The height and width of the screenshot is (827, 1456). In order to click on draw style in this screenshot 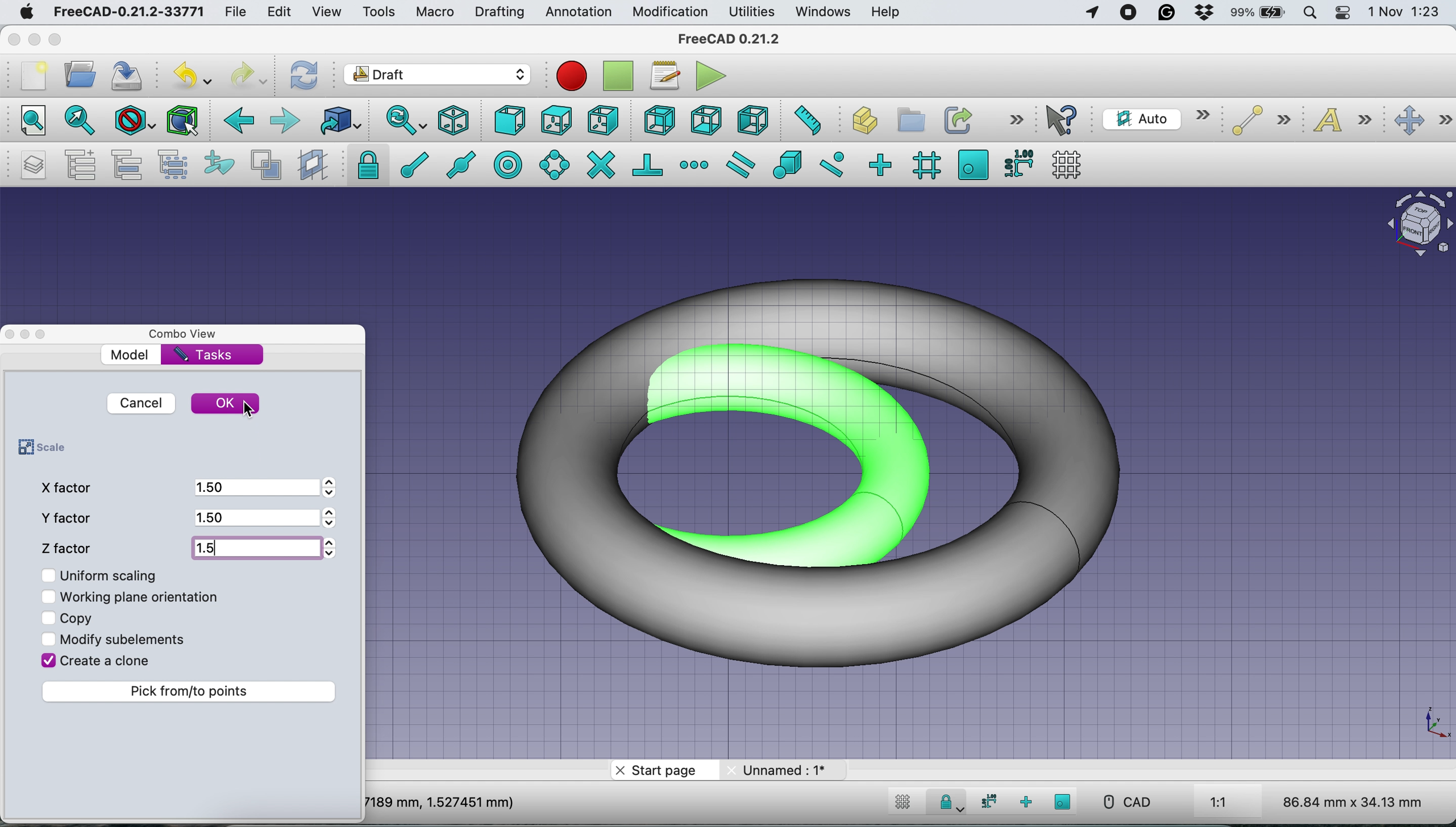, I will do `click(132, 123)`.